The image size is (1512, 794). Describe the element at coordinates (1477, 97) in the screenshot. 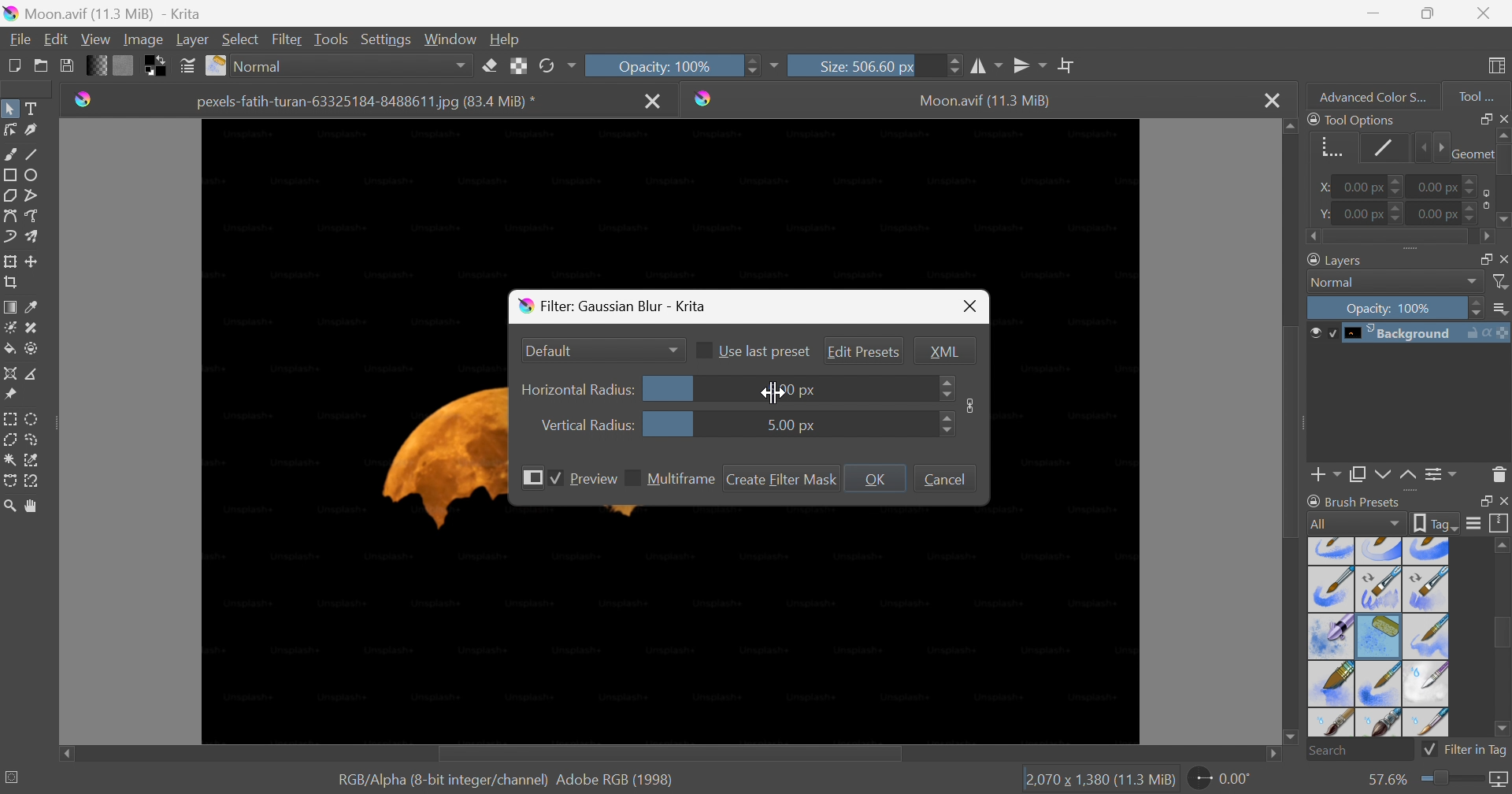

I see `Tool` at that location.